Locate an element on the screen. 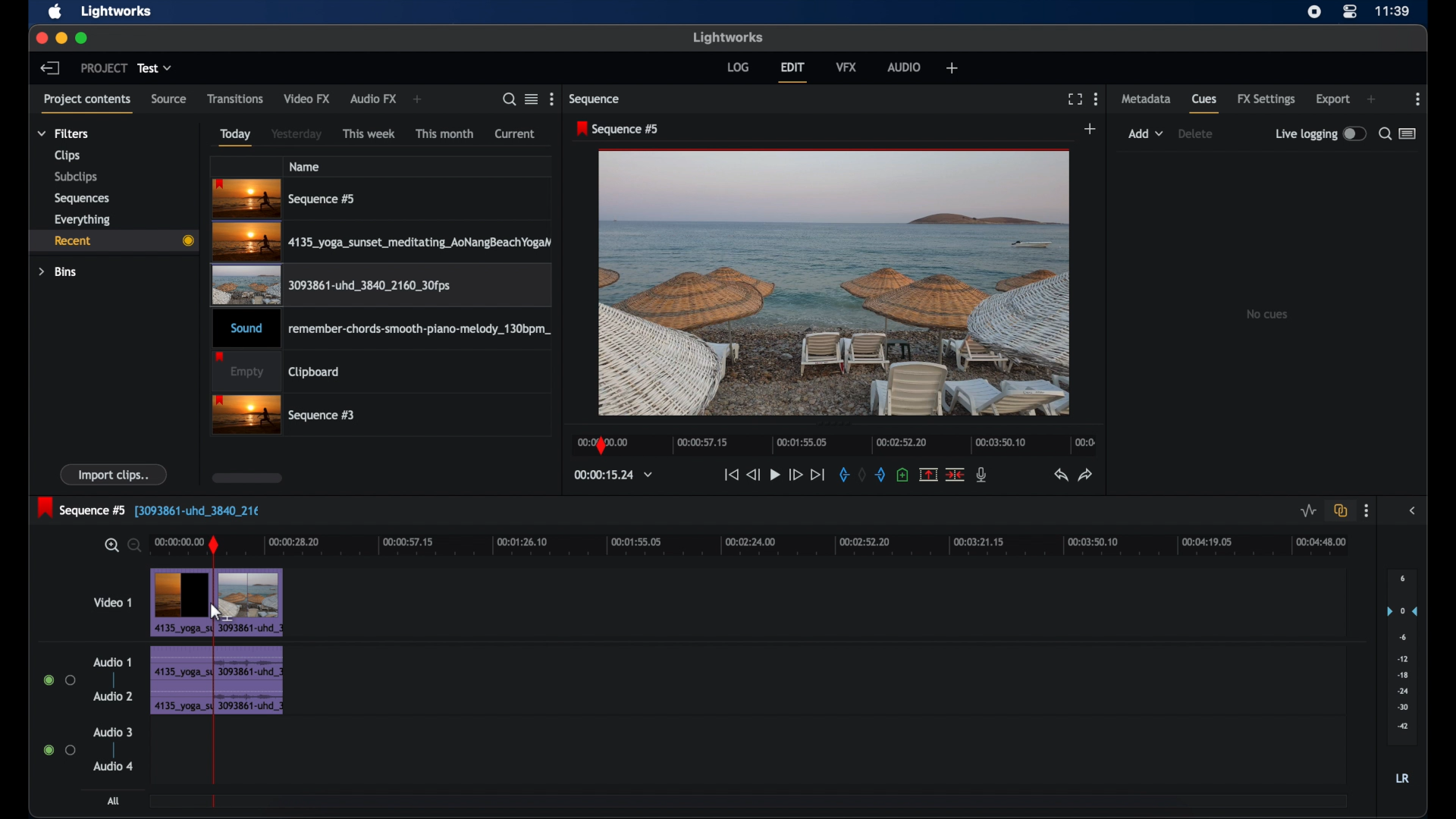 Image resolution: width=1456 pixels, height=819 pixels. video clip is located at coordinates (381, 286).